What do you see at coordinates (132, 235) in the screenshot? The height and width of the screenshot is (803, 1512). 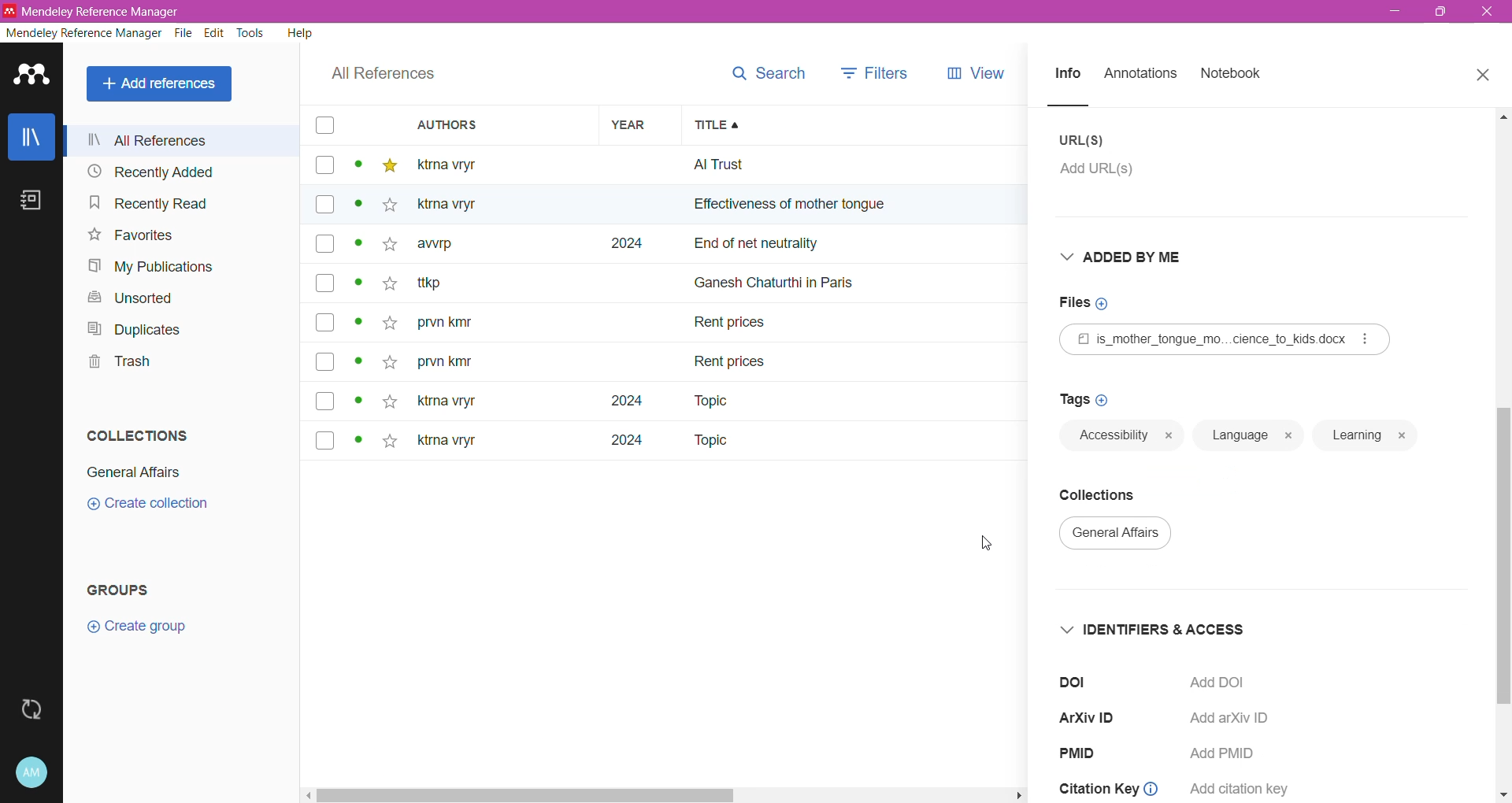 I see `Favorites` at bounding box center [132, 235].